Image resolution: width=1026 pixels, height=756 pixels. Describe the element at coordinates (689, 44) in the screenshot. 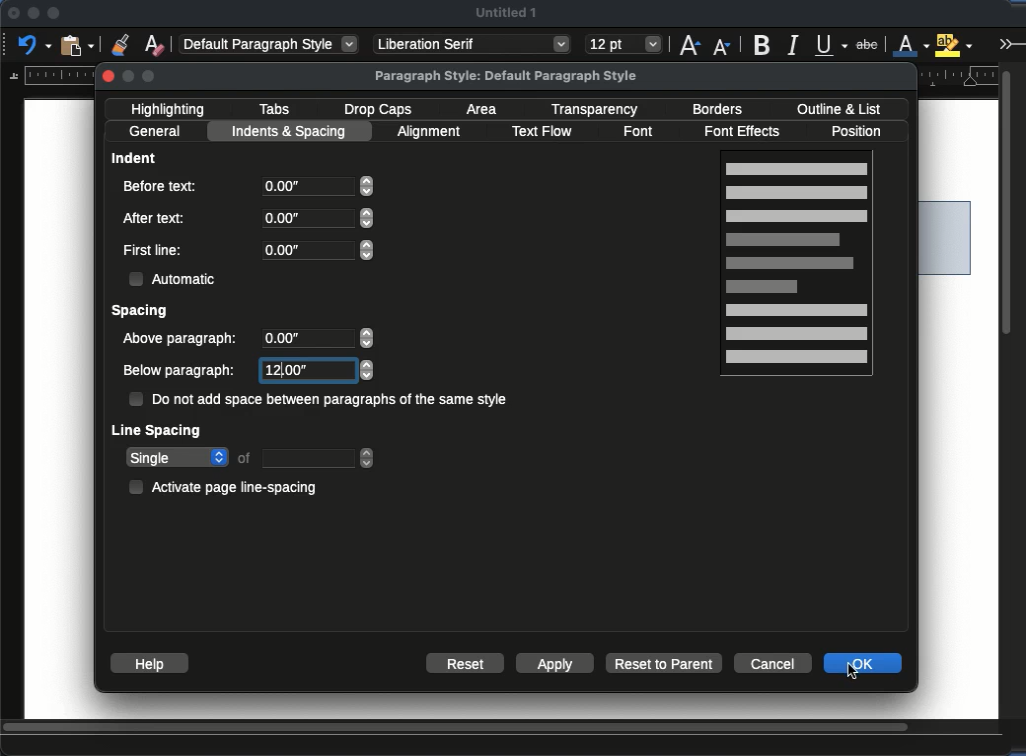

I see `increase size` at that location.